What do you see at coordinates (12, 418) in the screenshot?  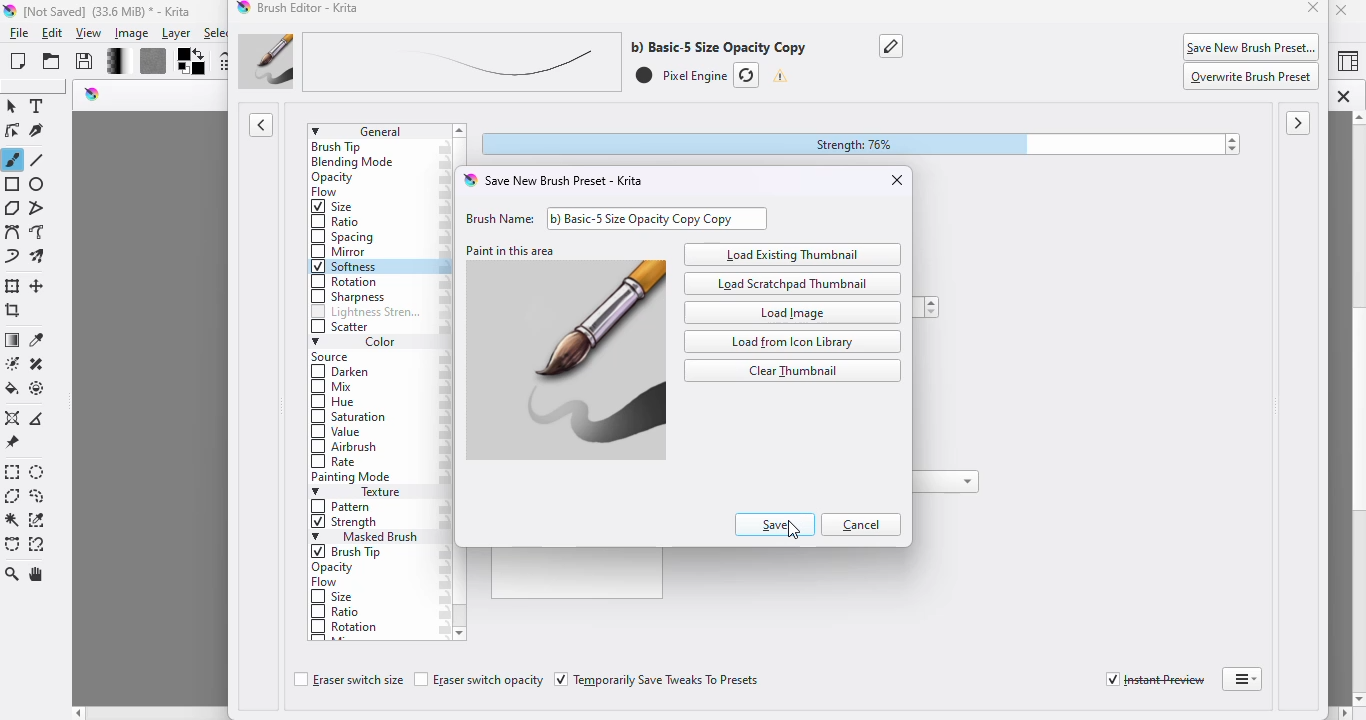 I see `assistant tool` at bounding box center [12, 418].